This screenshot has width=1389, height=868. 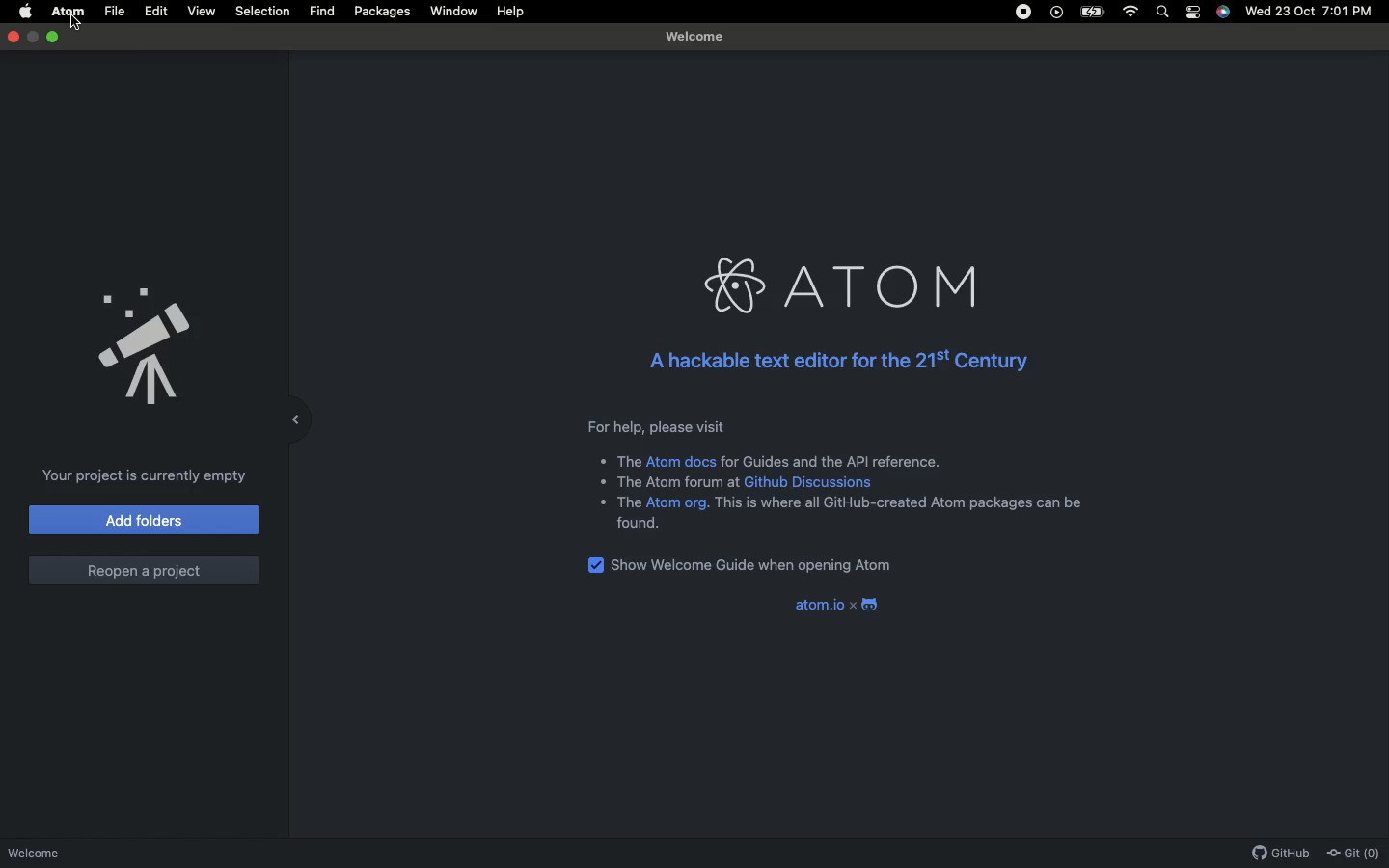 I want to click on Show welcome guide when opening Atom, so click(x=741, y=567).